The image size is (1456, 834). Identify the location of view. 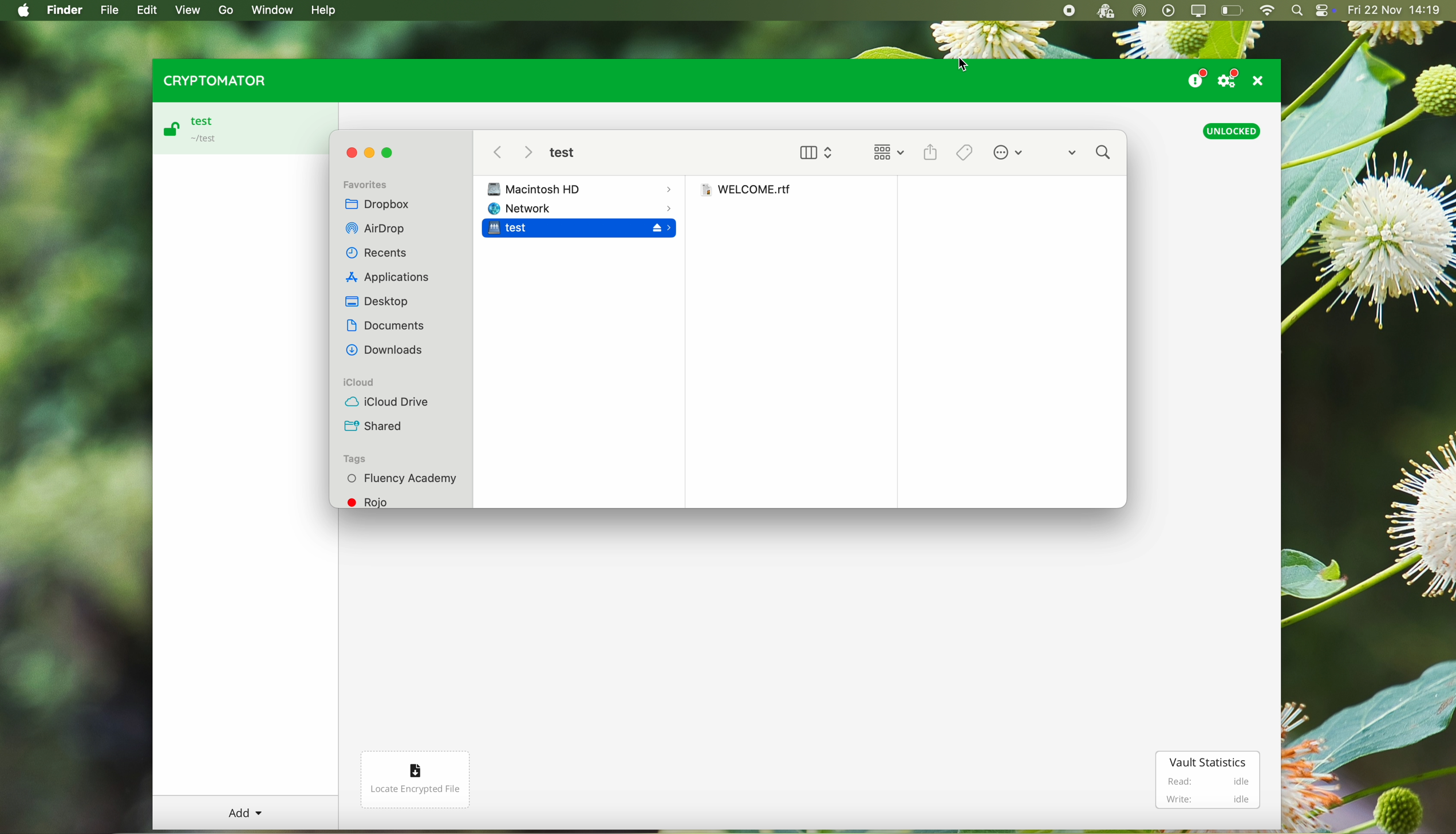
(814, 150).